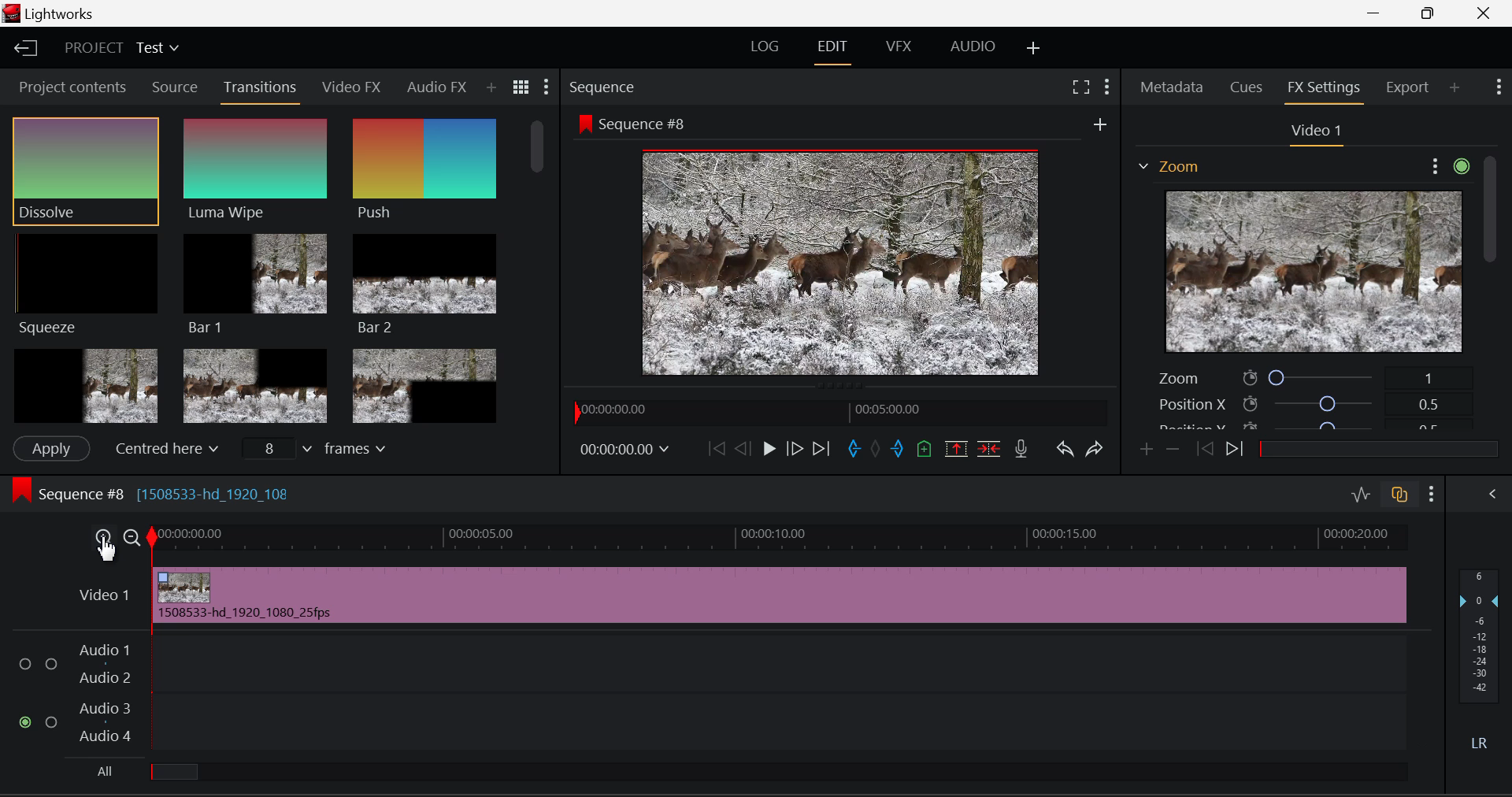  What do you see at coordinates (1362, 495) in the screenshot?
I see `Toggle Audio Levels Editing` at bounding box center [1362, 495].